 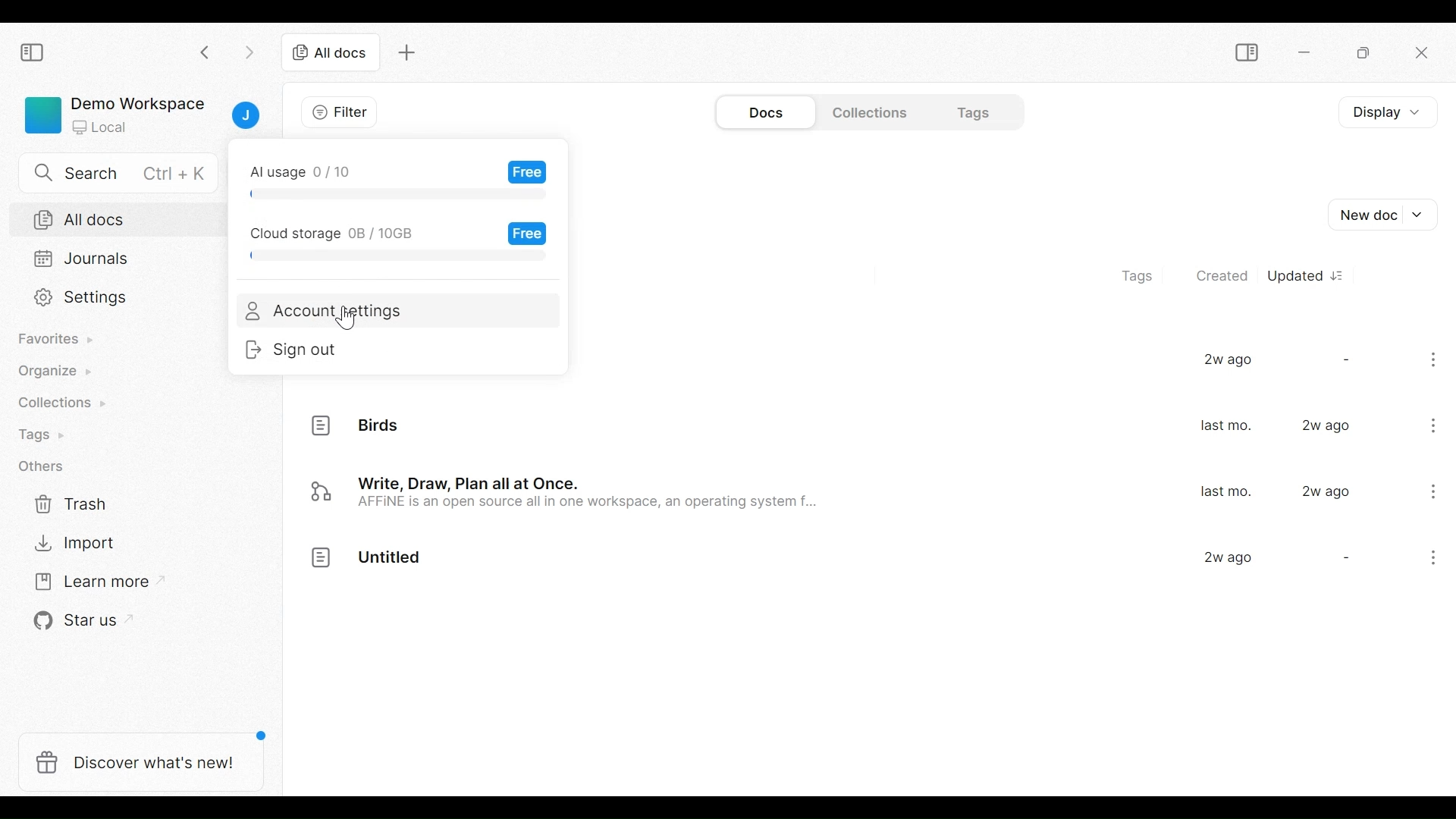 I want to click on Collections, so click(x=58, y=402).